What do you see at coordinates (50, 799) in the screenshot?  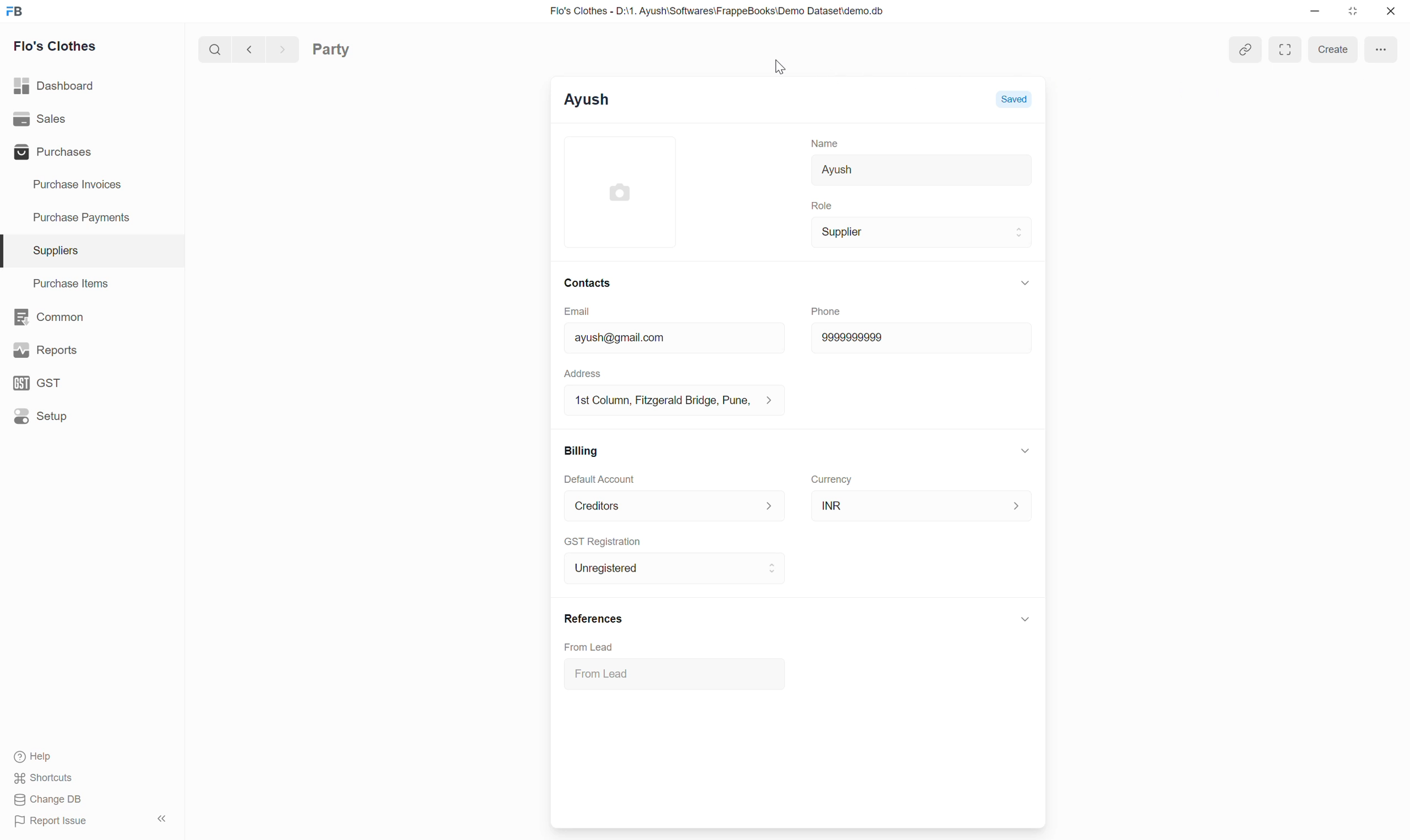 I see `Change DB` at bounding box center [50, 799].